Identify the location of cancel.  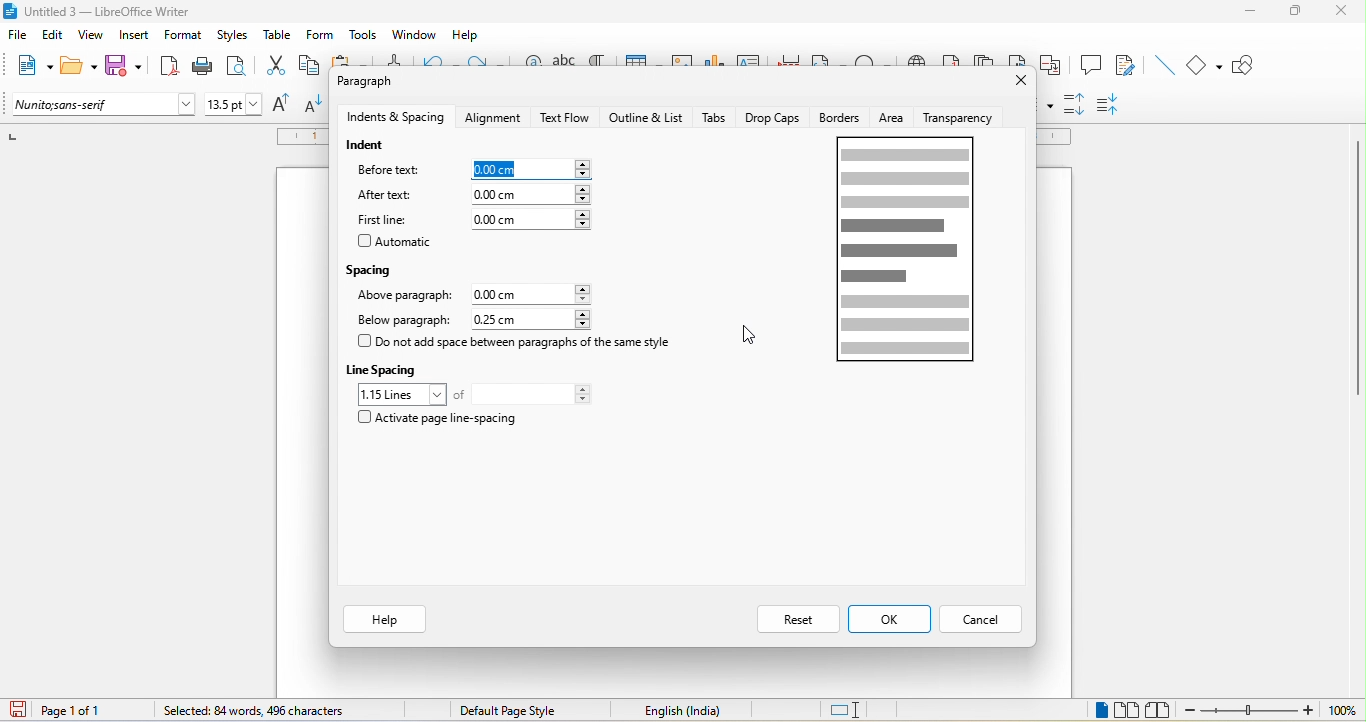
(981, 619).